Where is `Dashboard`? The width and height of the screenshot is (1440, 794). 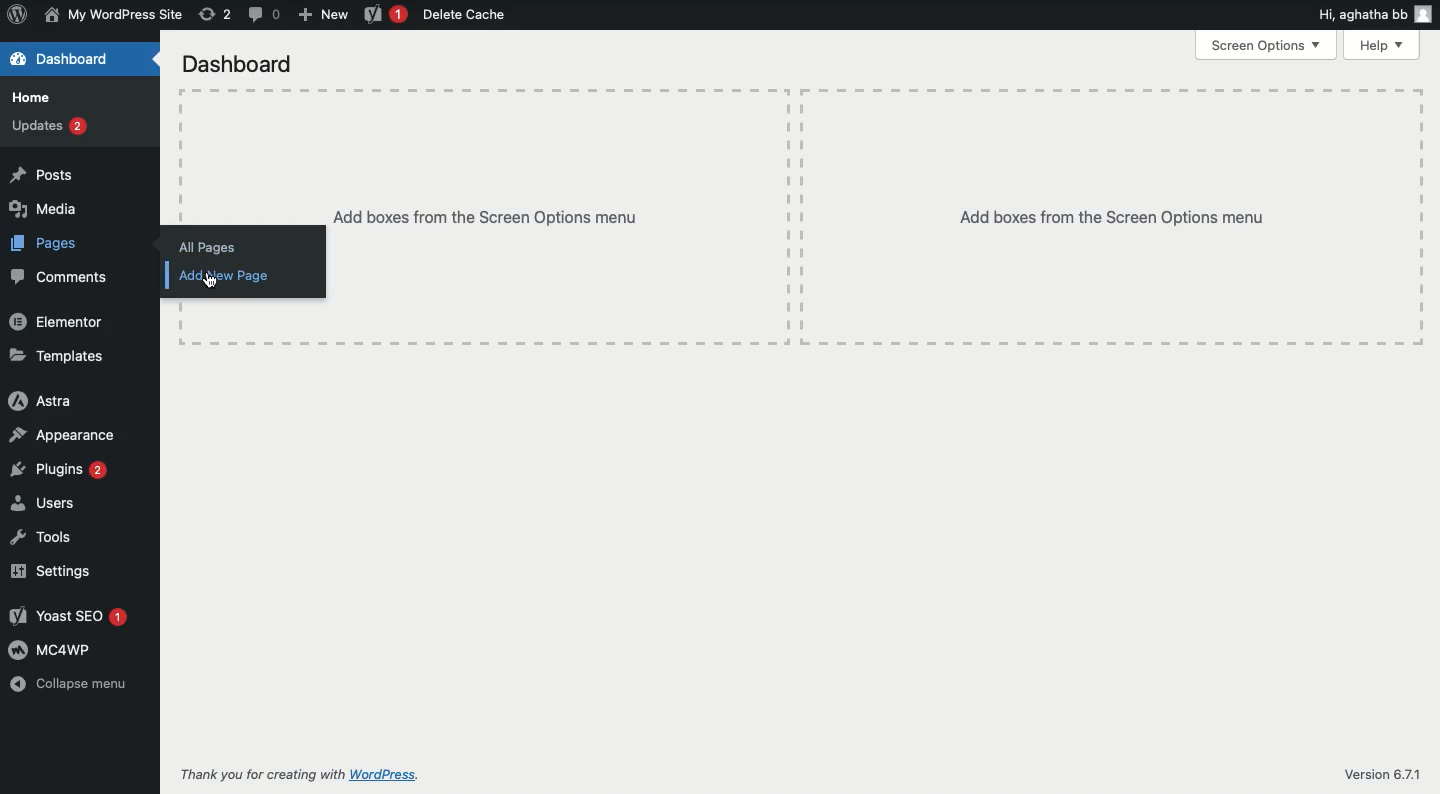 Dashboard is located at coordinates (244, 63).